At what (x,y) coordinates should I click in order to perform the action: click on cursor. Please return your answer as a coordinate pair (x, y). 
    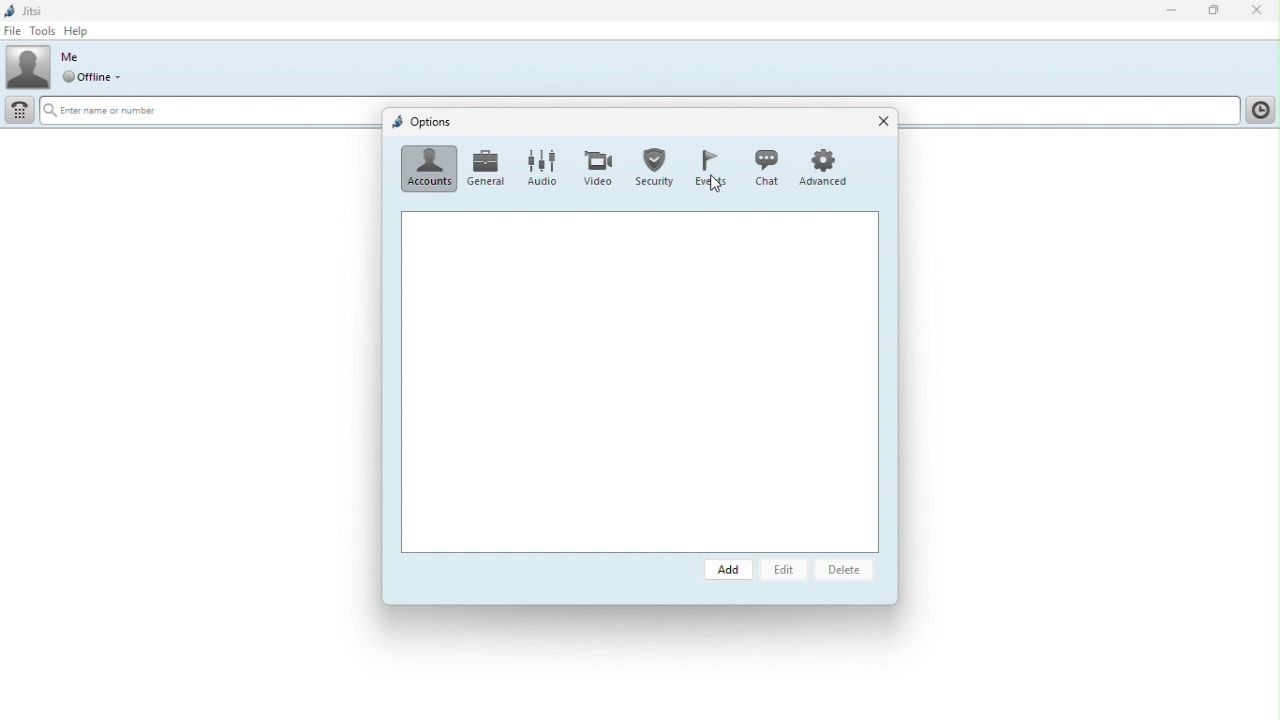
    Looking at the image, I should click on (717, 185).